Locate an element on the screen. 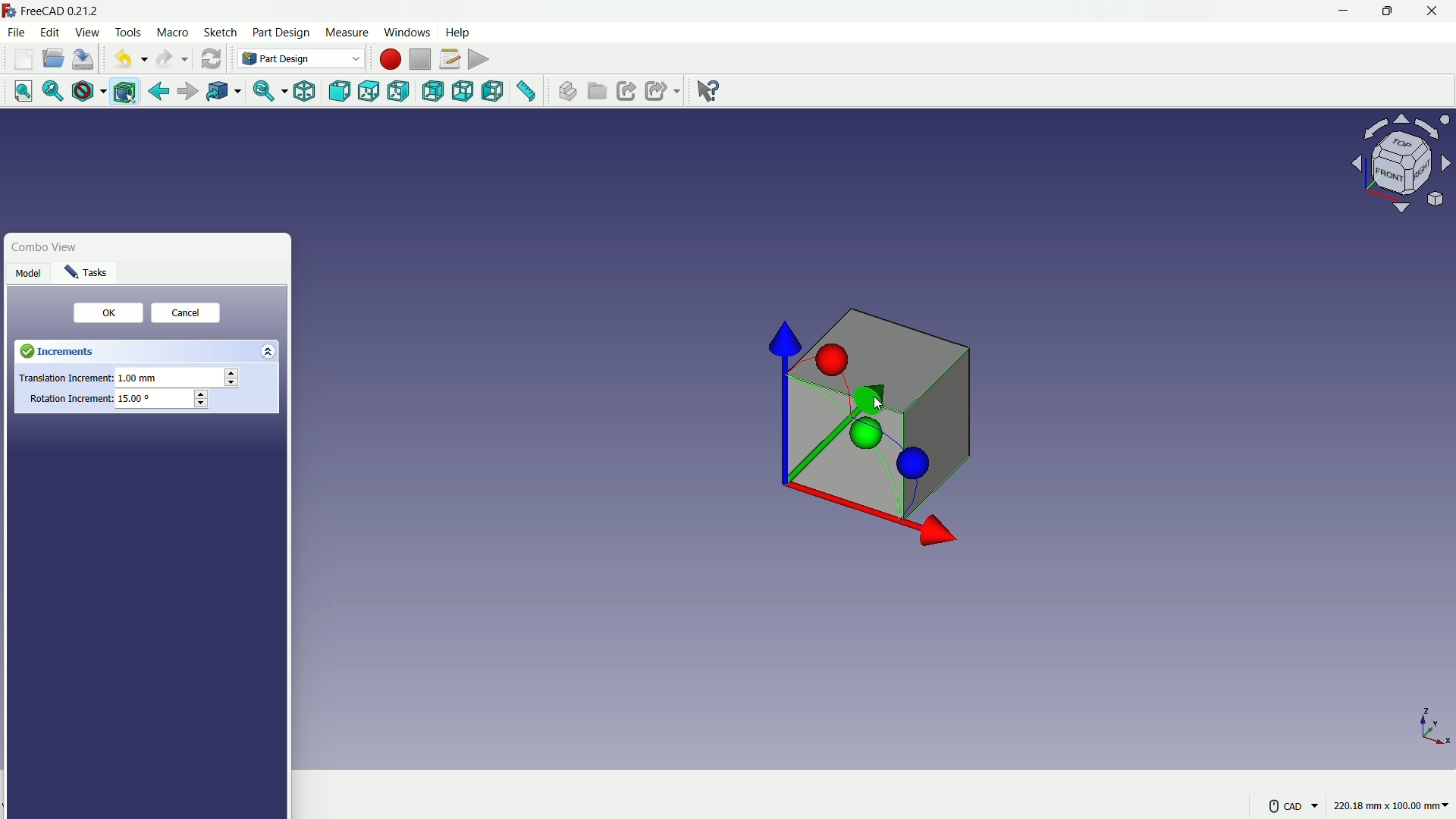 This screenshot has height=819, width=1456. tools is located at coordinates (130, 33).